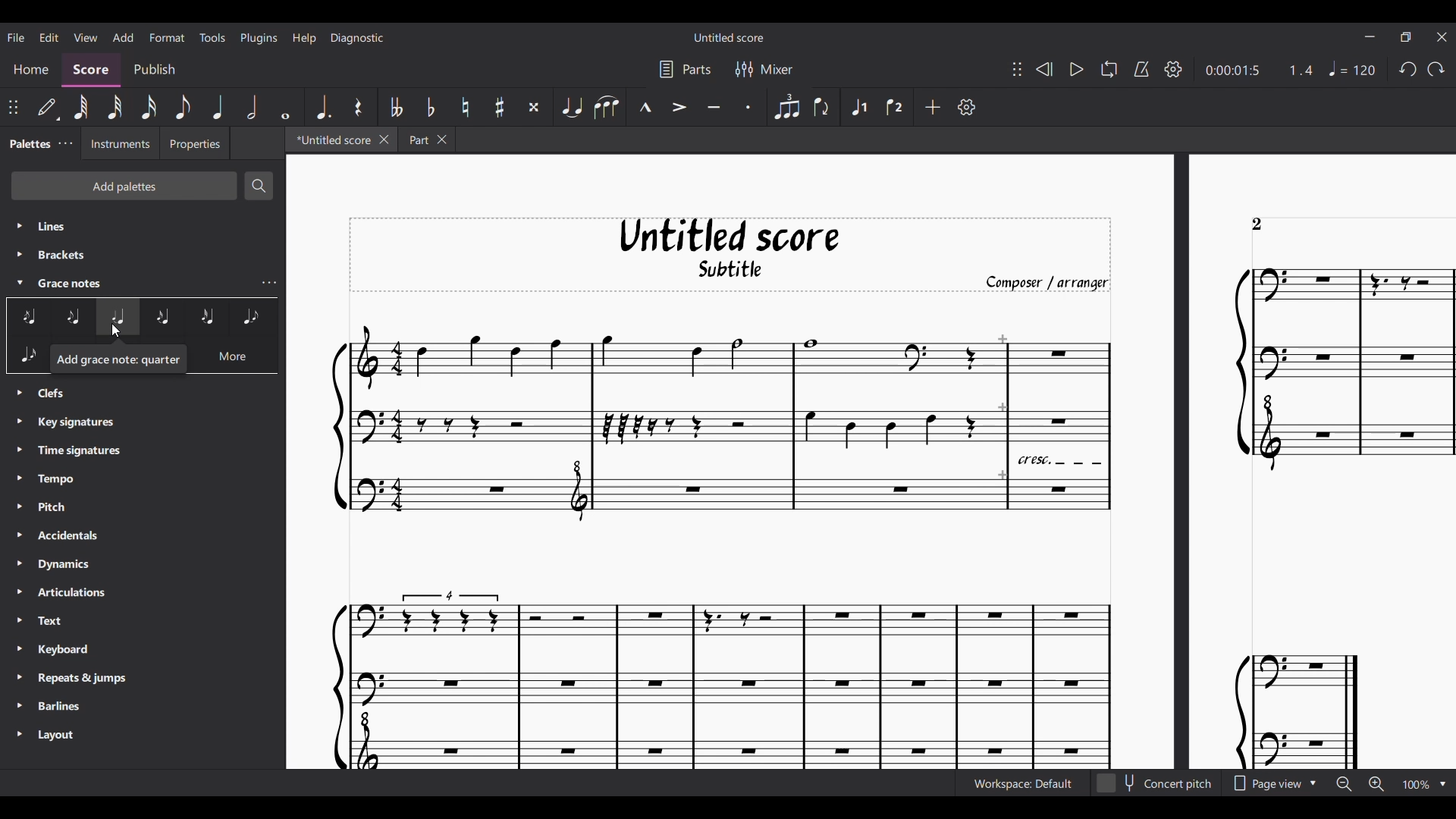  I want to click on Staccato, so click(749, 106).